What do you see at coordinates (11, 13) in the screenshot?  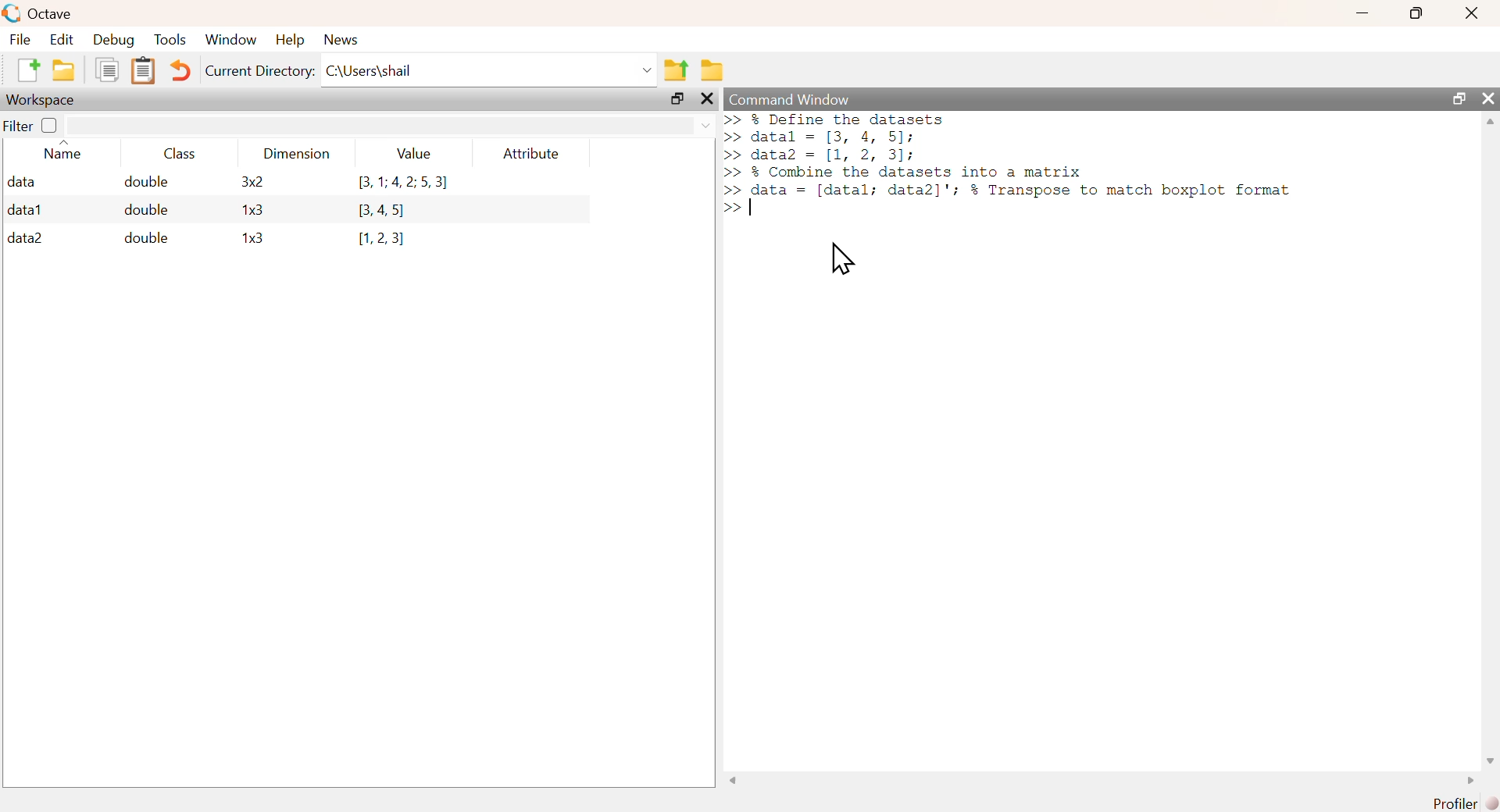 I see `Logo` at bounding box center [11, 13].